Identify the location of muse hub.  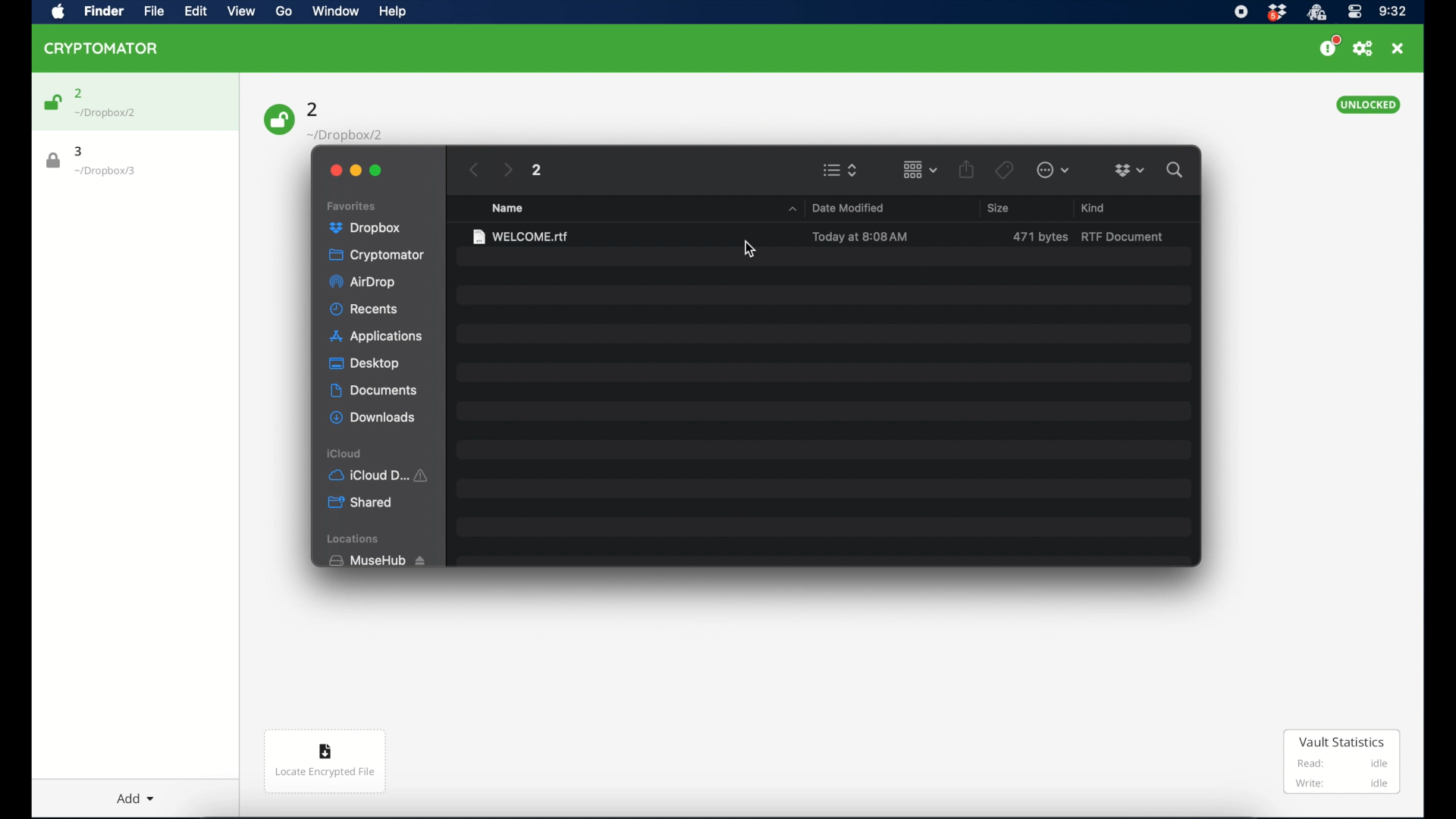
(374, 560).